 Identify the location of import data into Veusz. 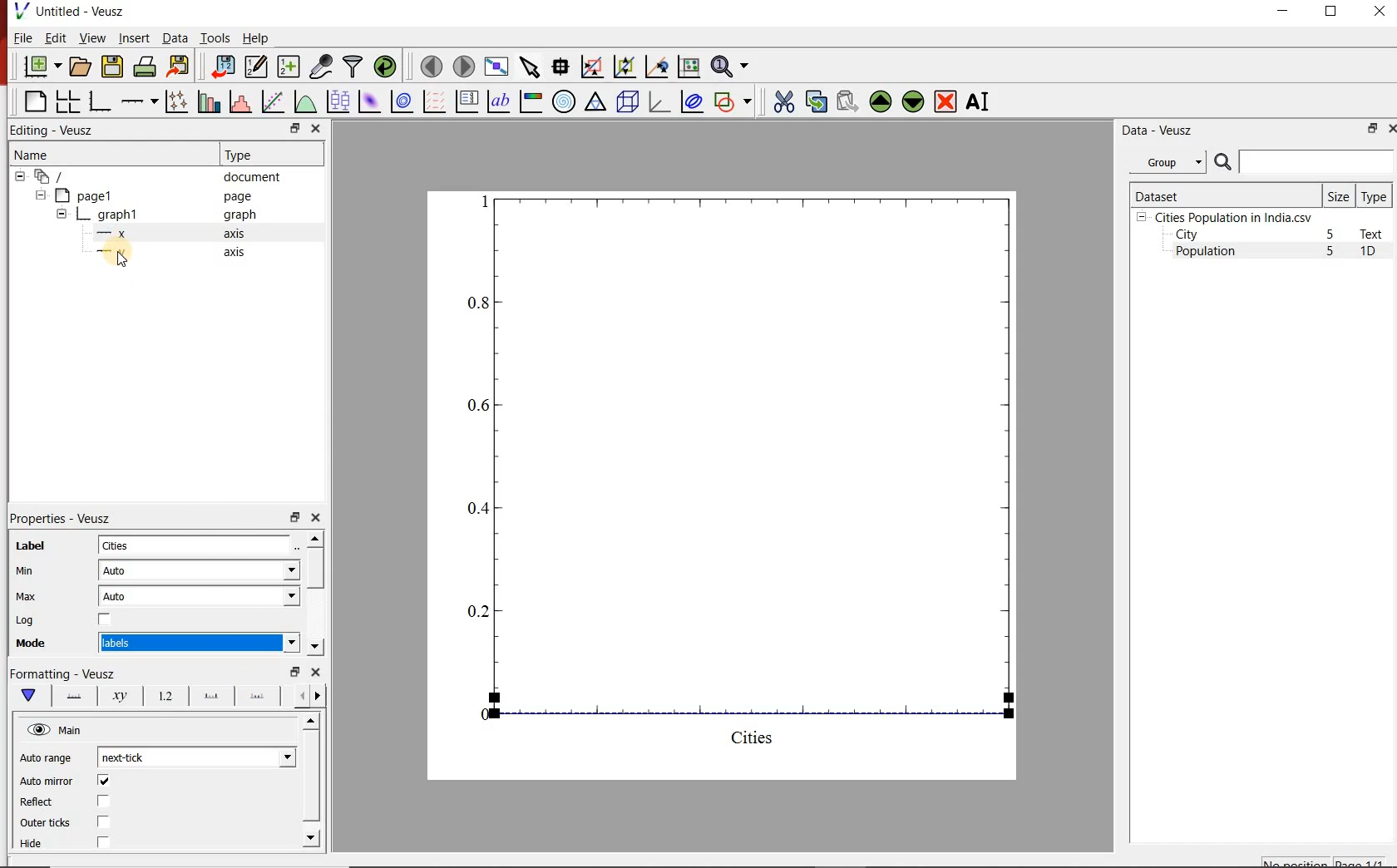
(222, 66).